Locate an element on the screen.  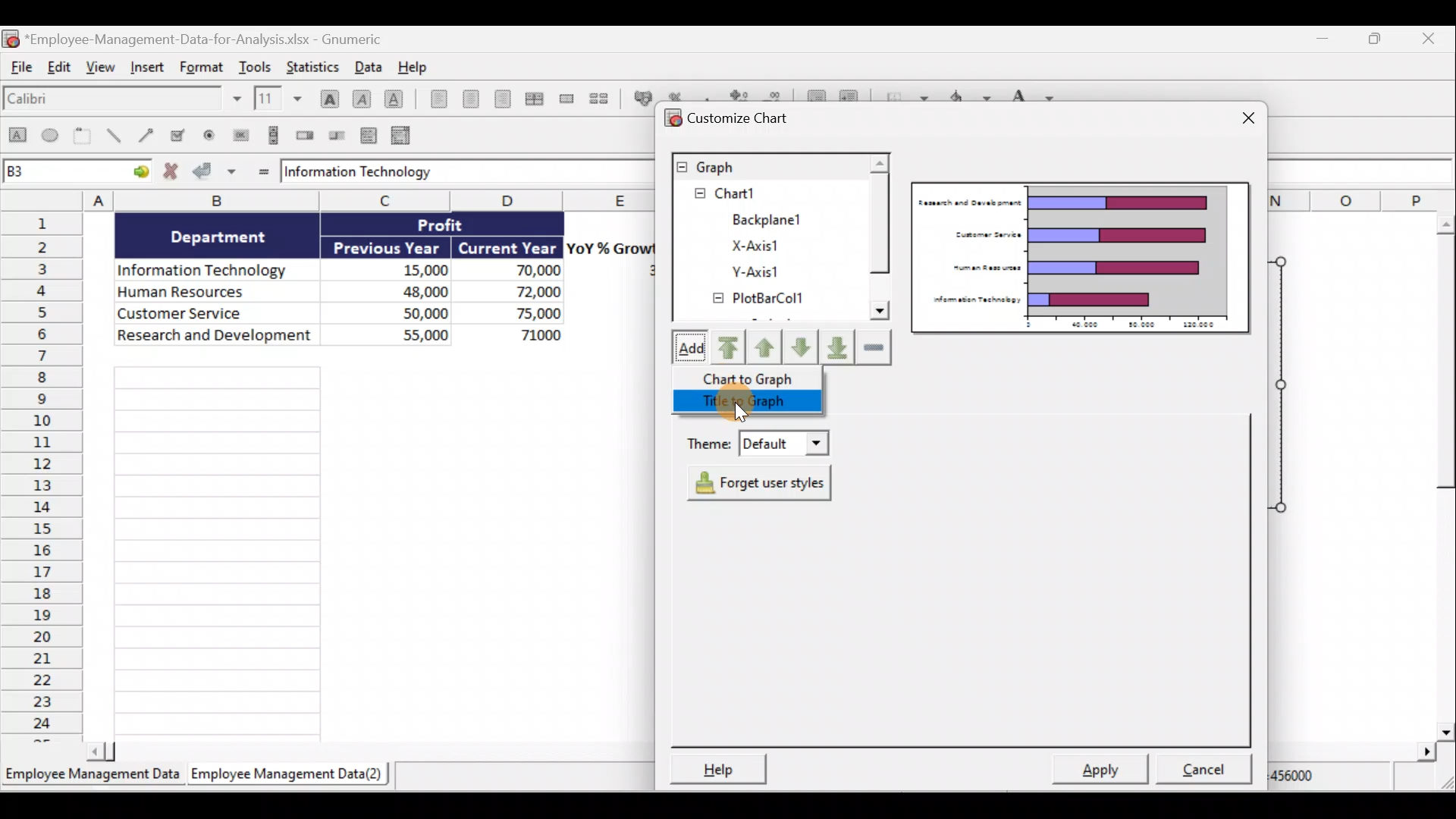
Create an arrow object is located at coordinates (149, 133).